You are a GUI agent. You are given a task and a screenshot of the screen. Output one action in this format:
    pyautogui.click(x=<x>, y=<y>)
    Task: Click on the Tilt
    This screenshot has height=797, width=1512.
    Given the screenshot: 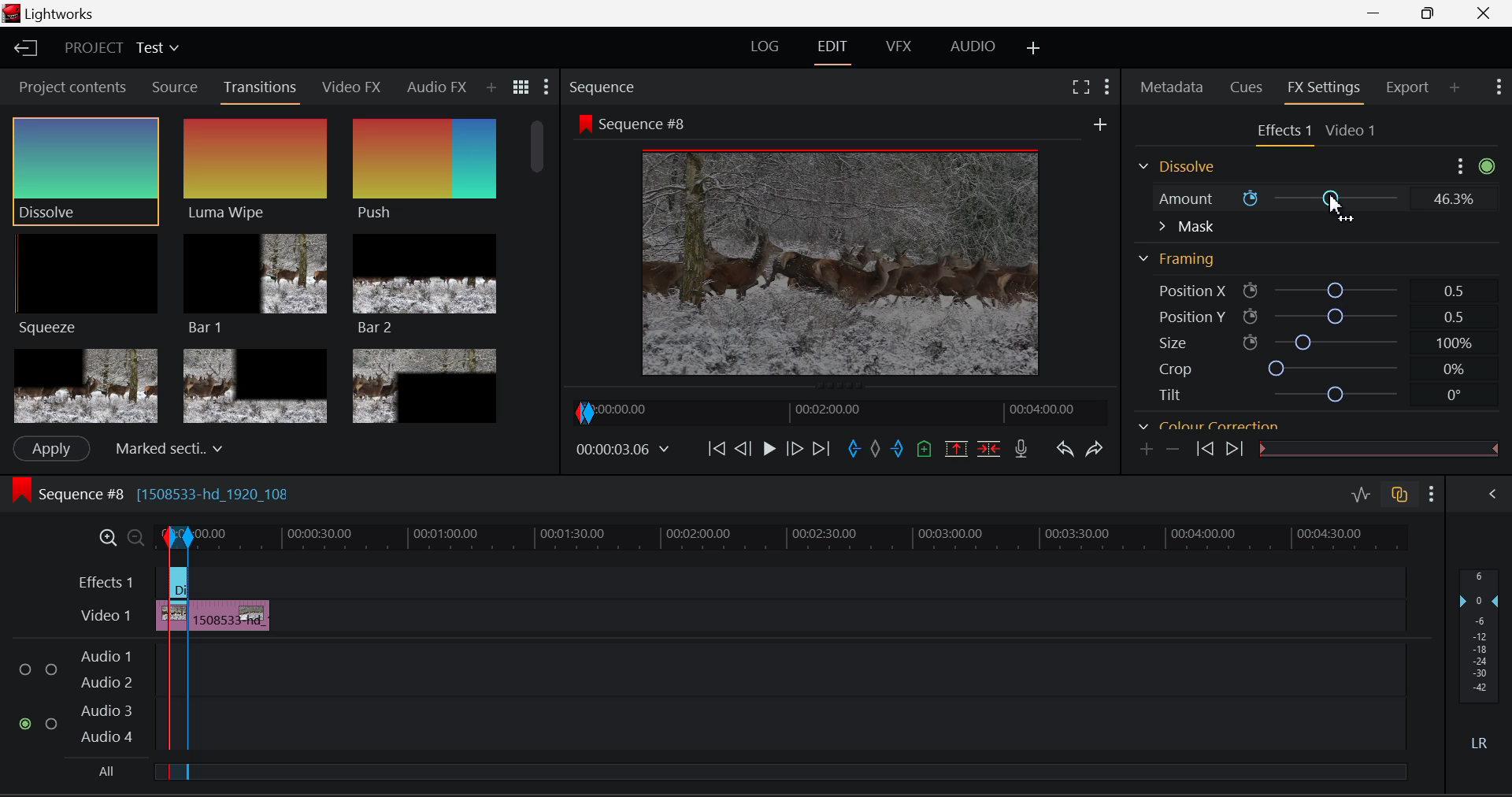 What is the action you would take?
    pyautogui.click(x=1303, y=394)
    